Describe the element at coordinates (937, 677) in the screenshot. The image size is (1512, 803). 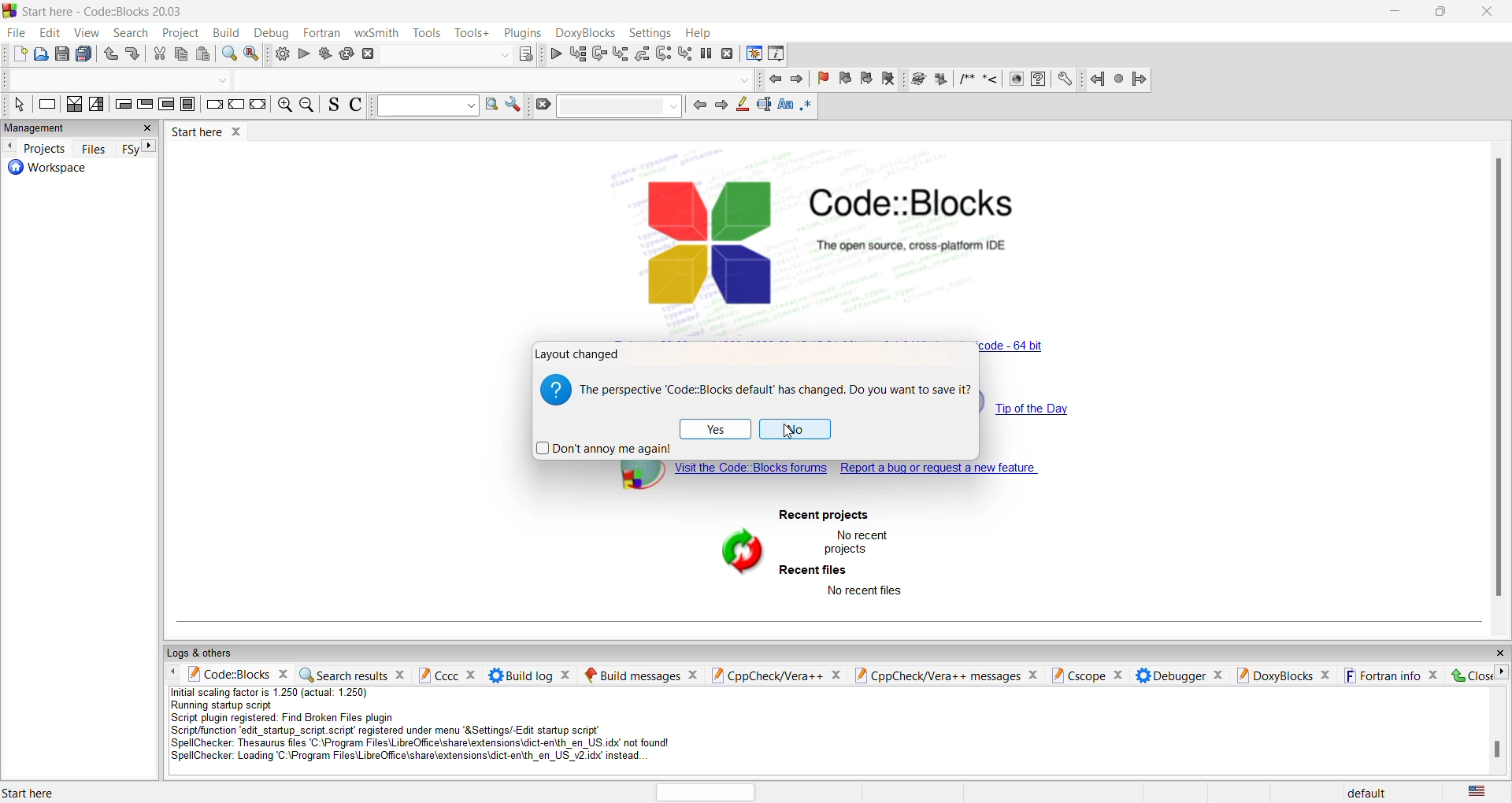
I see `cpp check pane` at that location.